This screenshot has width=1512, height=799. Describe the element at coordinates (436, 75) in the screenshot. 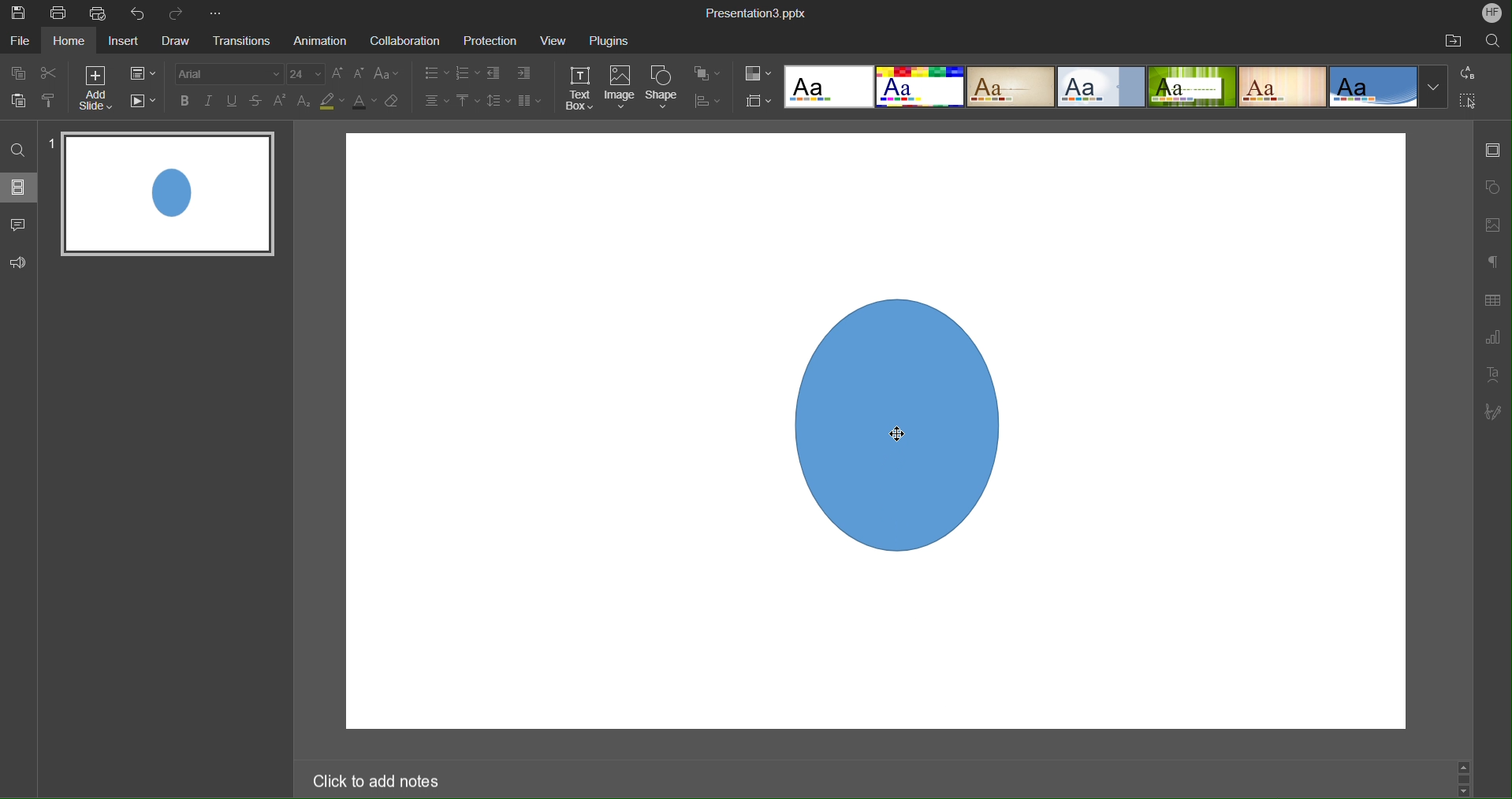

I see `Bullet List` at that location.